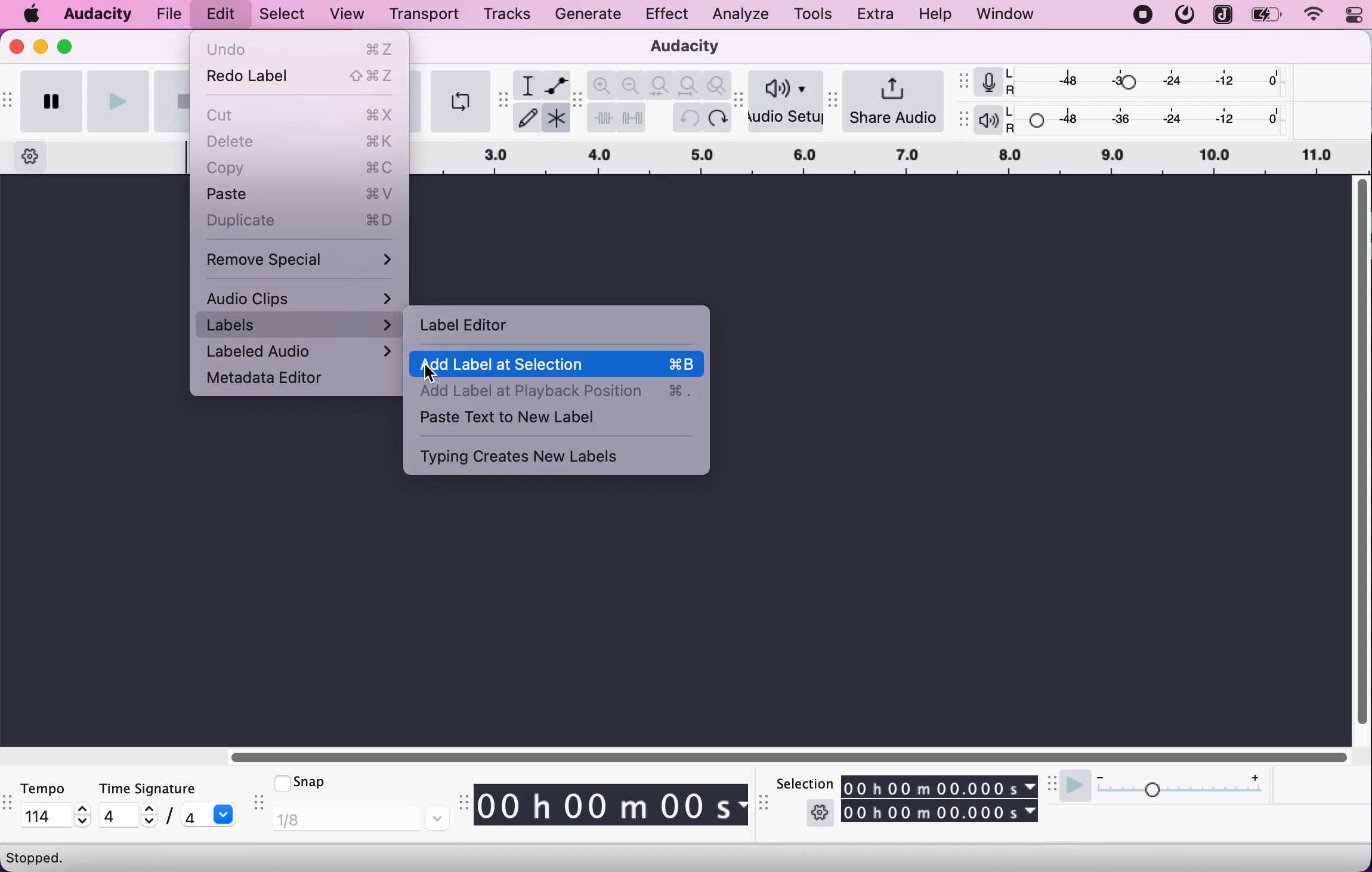  Describe the element at coordinates (302, 143) in the screenshot. I see `delete` at that location.